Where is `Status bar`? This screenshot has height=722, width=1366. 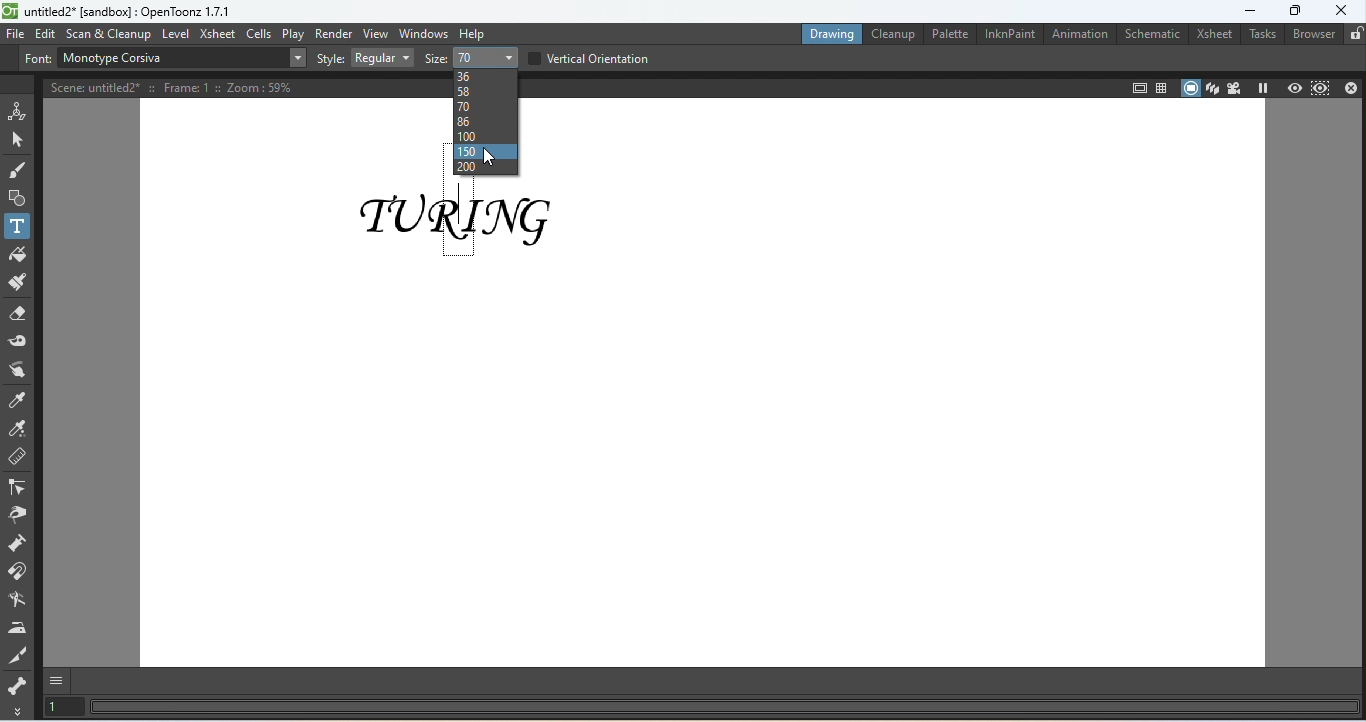
Status bar is located at coordinates (723, 708).